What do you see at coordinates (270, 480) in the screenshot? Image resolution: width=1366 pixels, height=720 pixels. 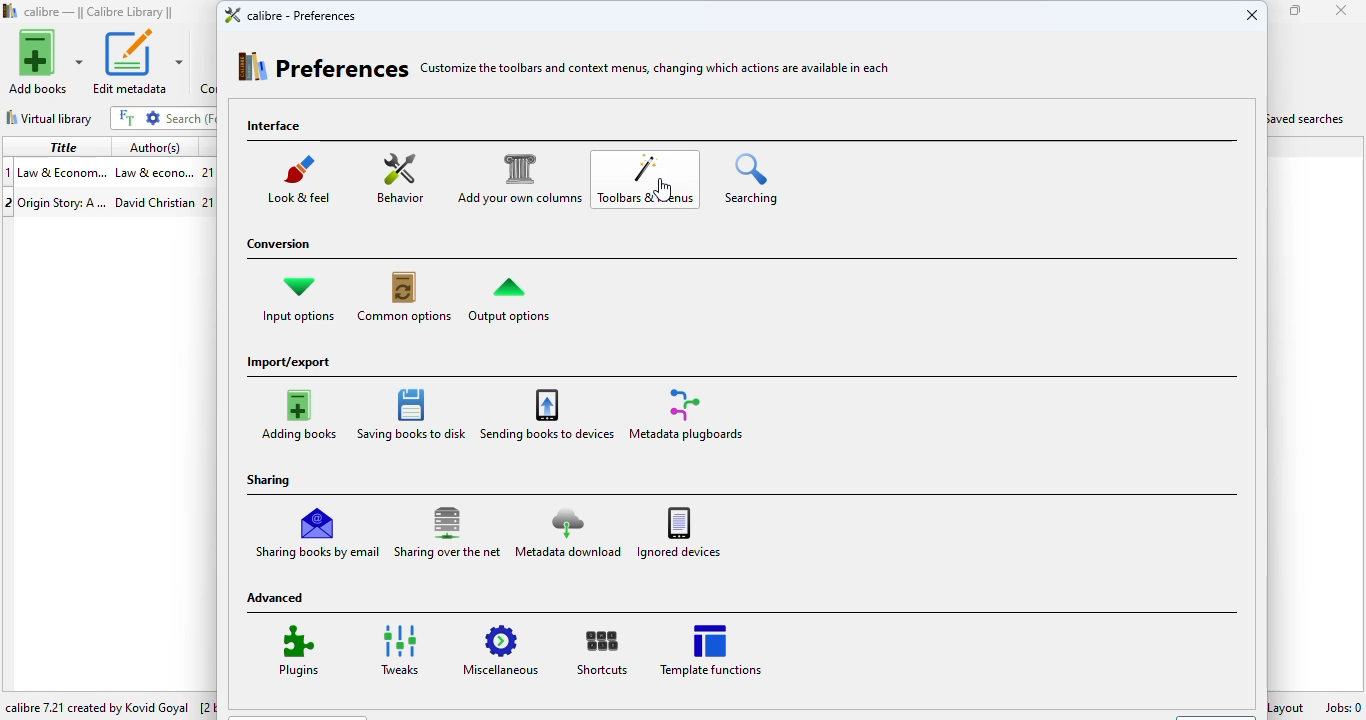 I see `sharing` at bounding box center [270, 480].